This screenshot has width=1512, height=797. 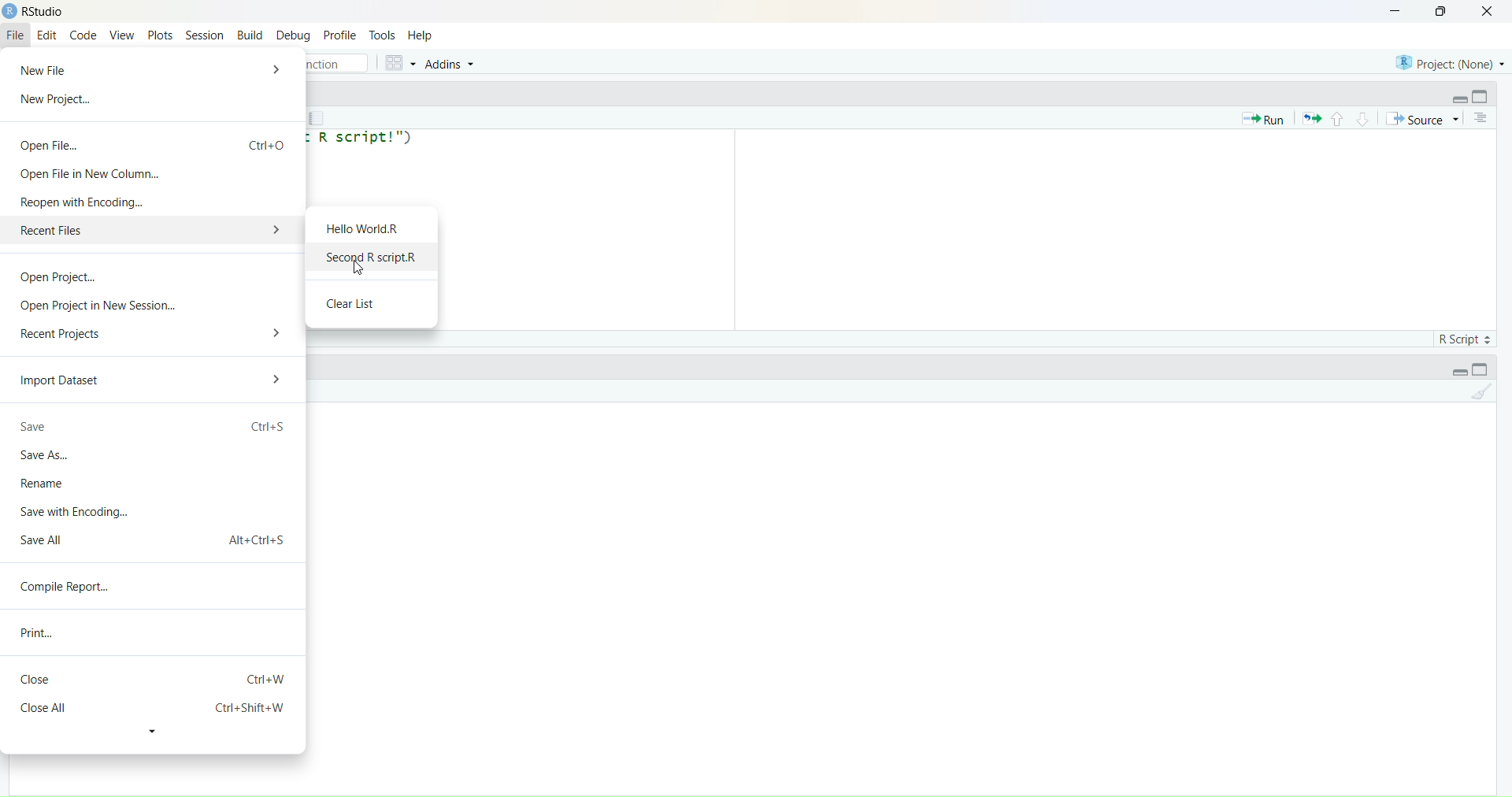 What do you see at coordinates (83, 202) in the screenshot?
I see `Reopen with Encoding..` at bounding box center [83, 202].